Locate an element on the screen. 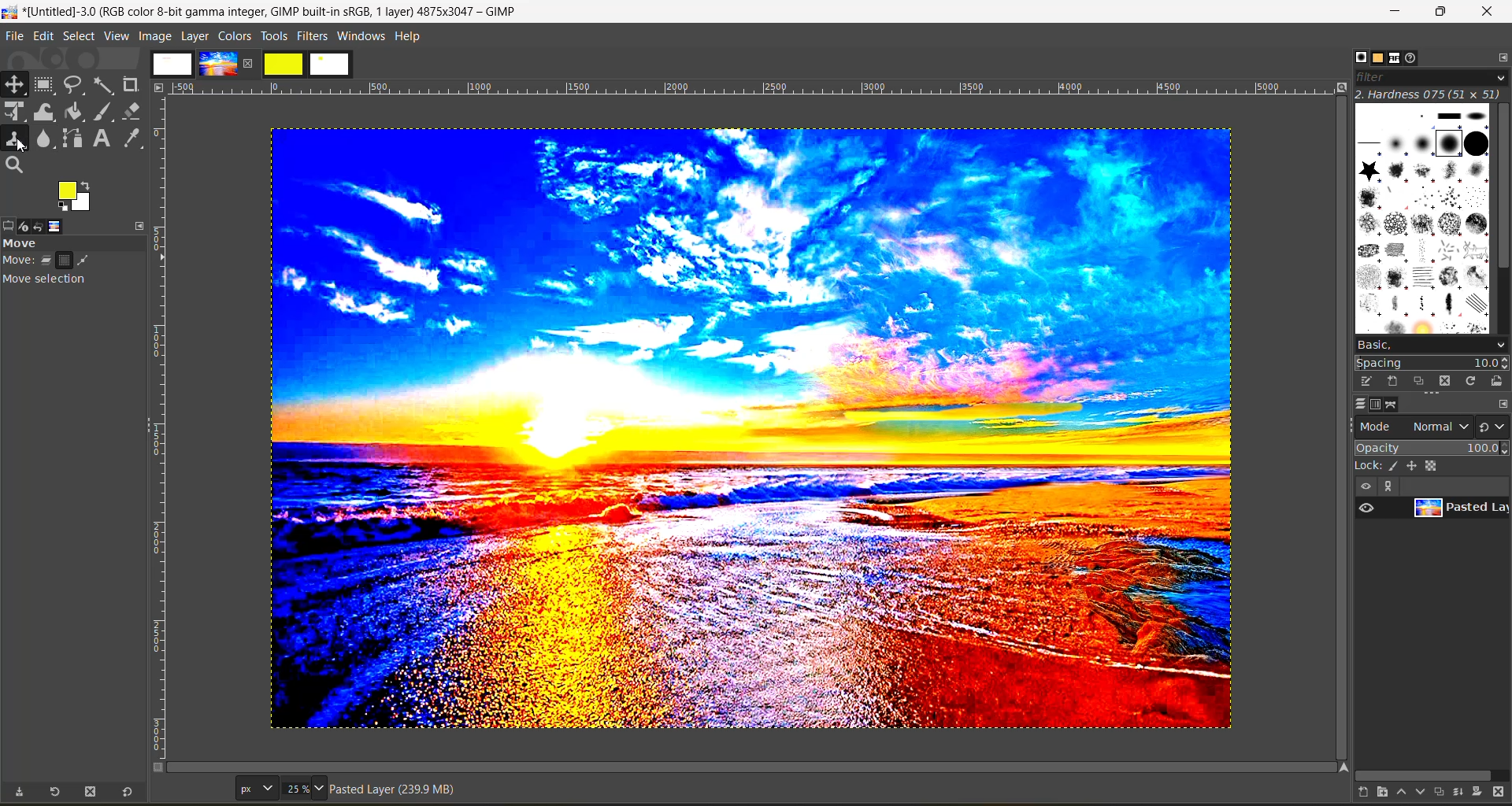 The height and width of the screenshot is (806, 1512). refresh brushes is located at coordinates (1470, 381).